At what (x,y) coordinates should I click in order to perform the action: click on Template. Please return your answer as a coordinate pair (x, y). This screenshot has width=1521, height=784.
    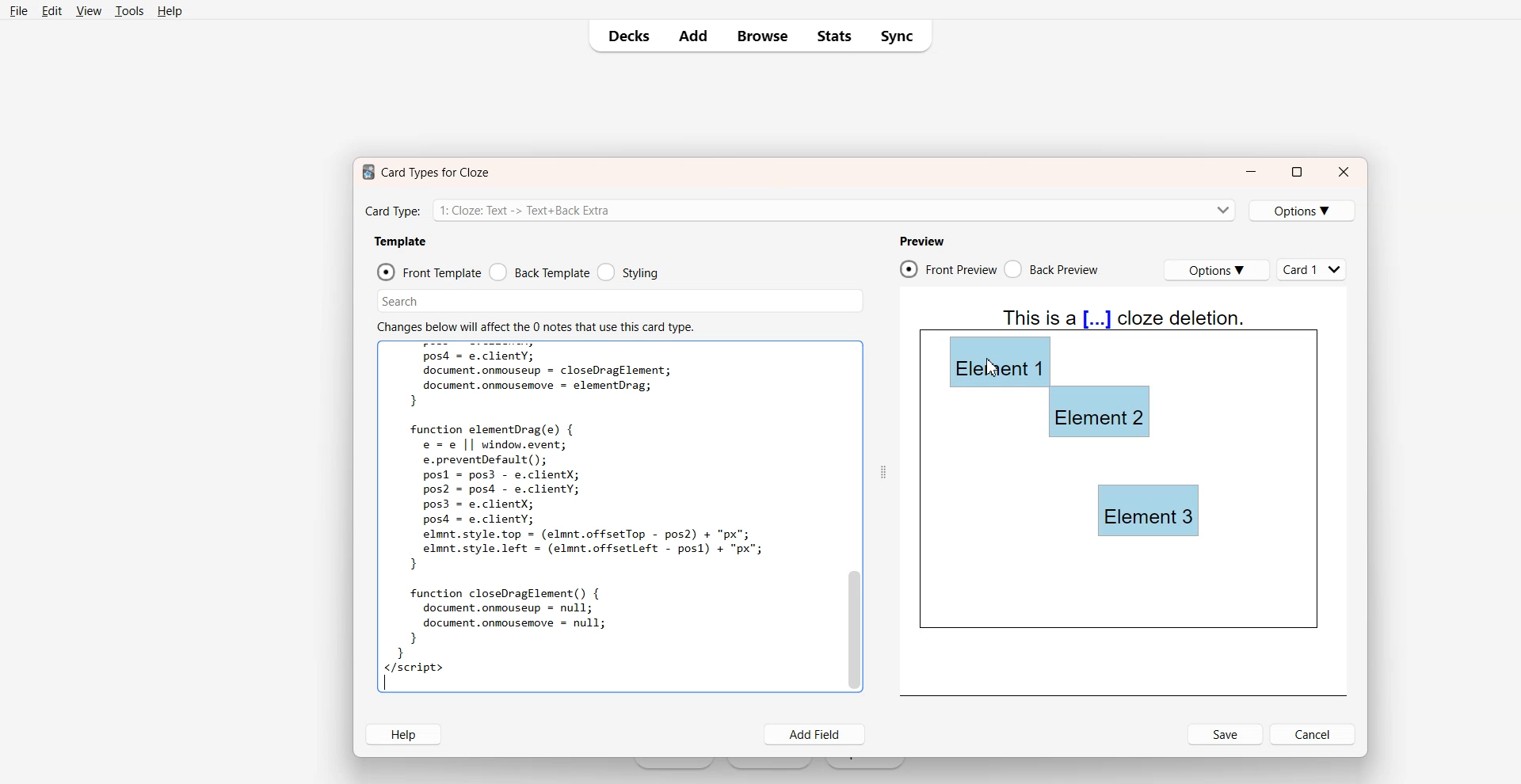
    Looking at the image, I should click on (400, 242).